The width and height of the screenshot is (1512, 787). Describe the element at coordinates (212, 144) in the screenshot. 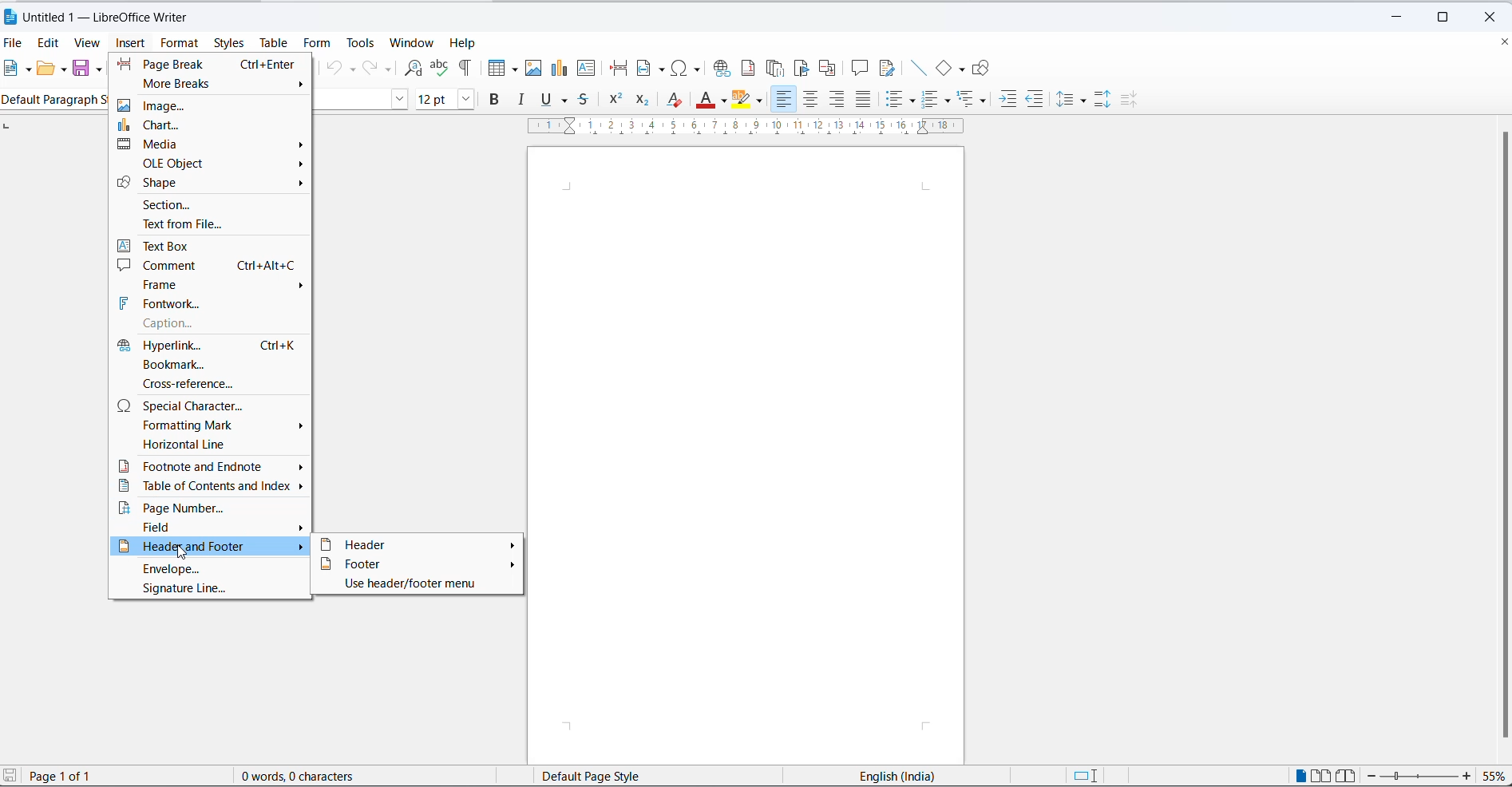

I see `media` at that location.